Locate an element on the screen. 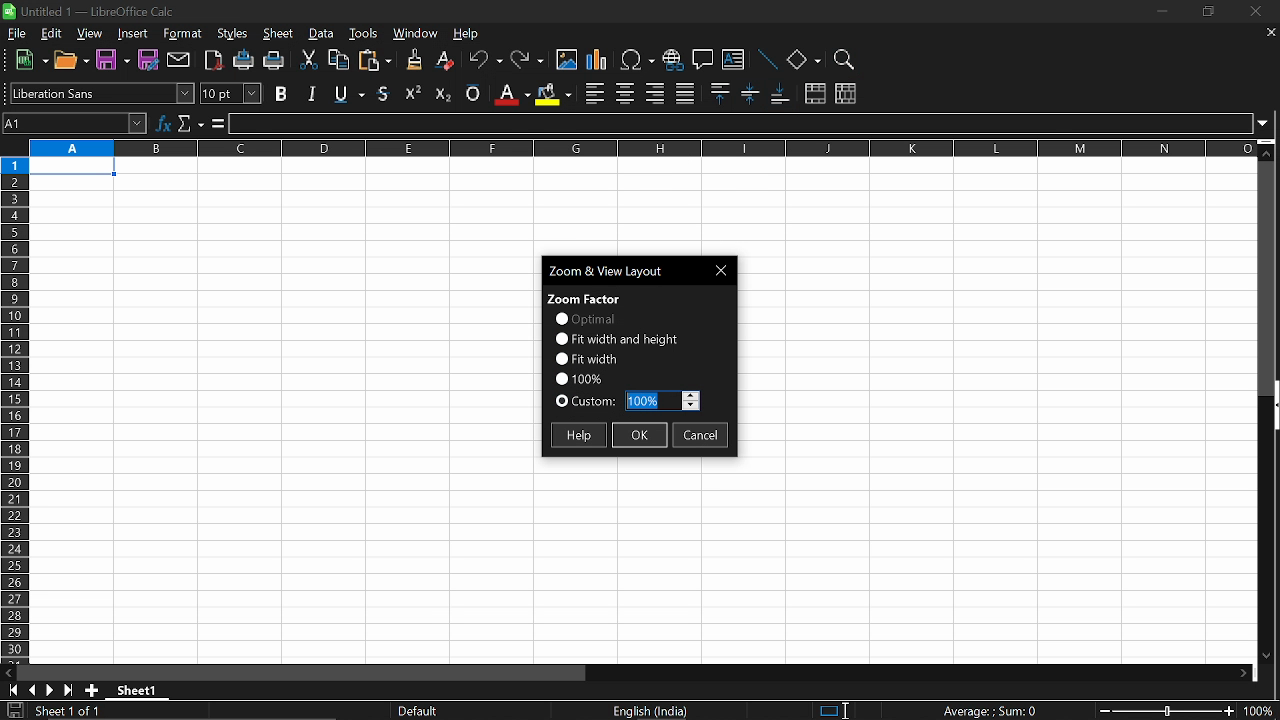 Image resolution: width=1280 pixels, height=720 pixels. sheet style is located at coordinates (421, 711).